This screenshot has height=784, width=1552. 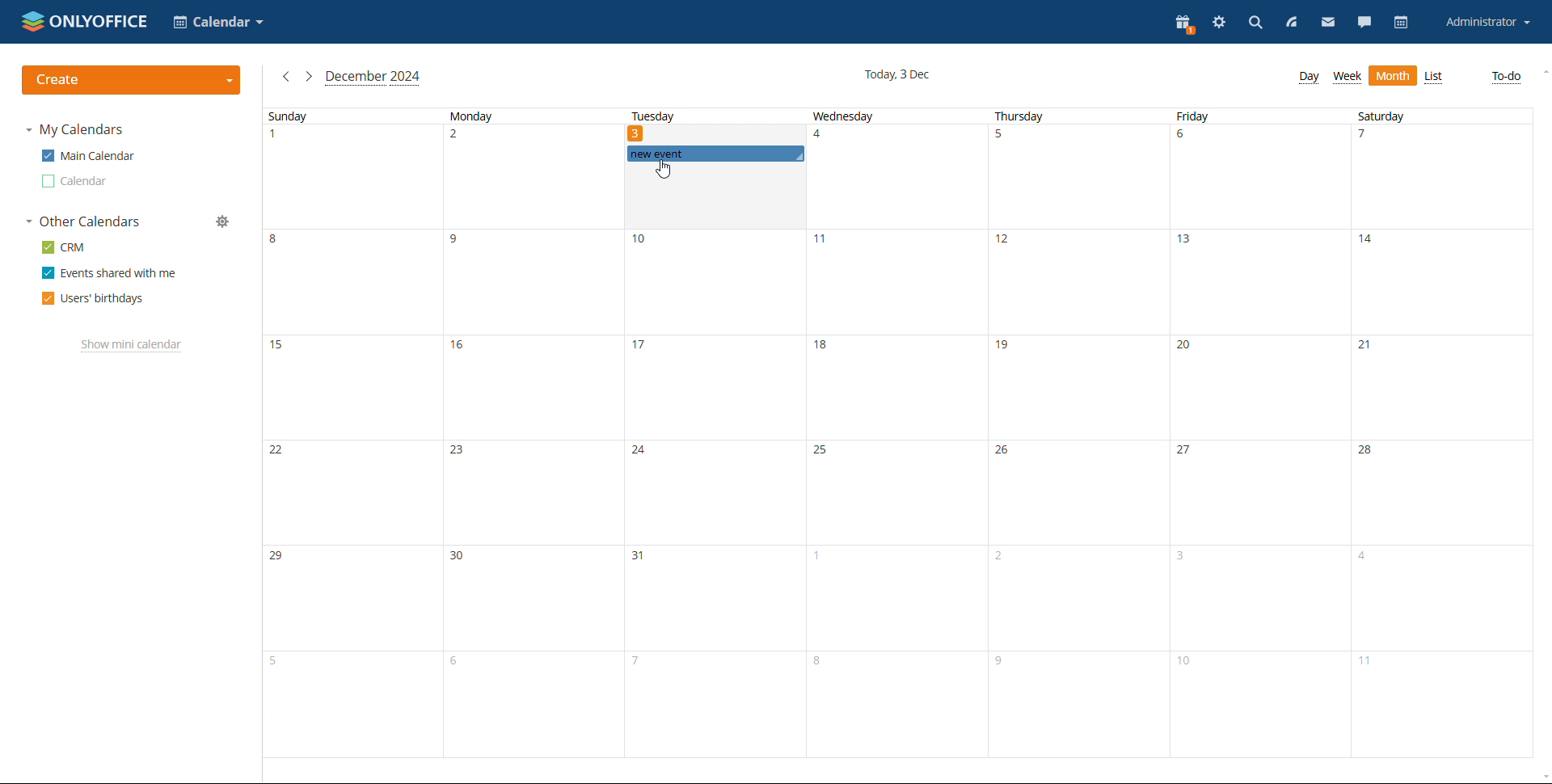 What do you see at coordinates (1440, 433) in the screenshot?
I see `saturday` at bounding box center [1440, 433].